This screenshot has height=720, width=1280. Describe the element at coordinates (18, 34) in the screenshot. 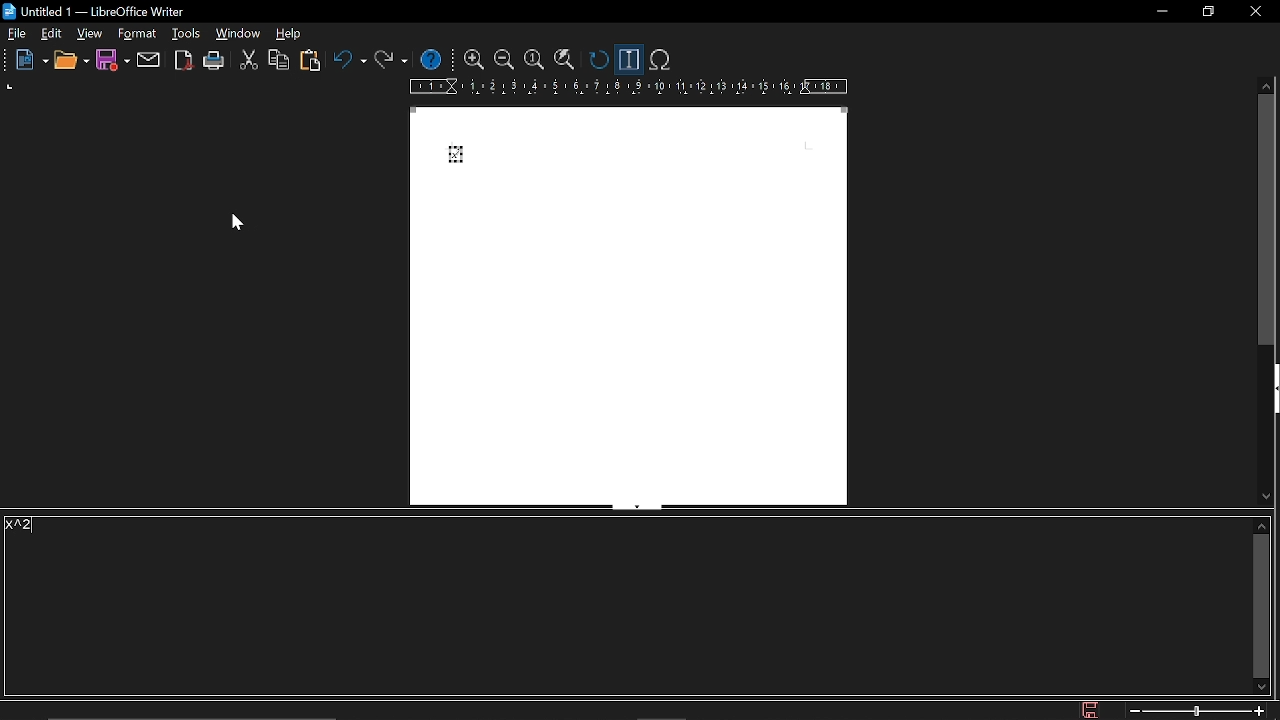

I see `file` at that location.